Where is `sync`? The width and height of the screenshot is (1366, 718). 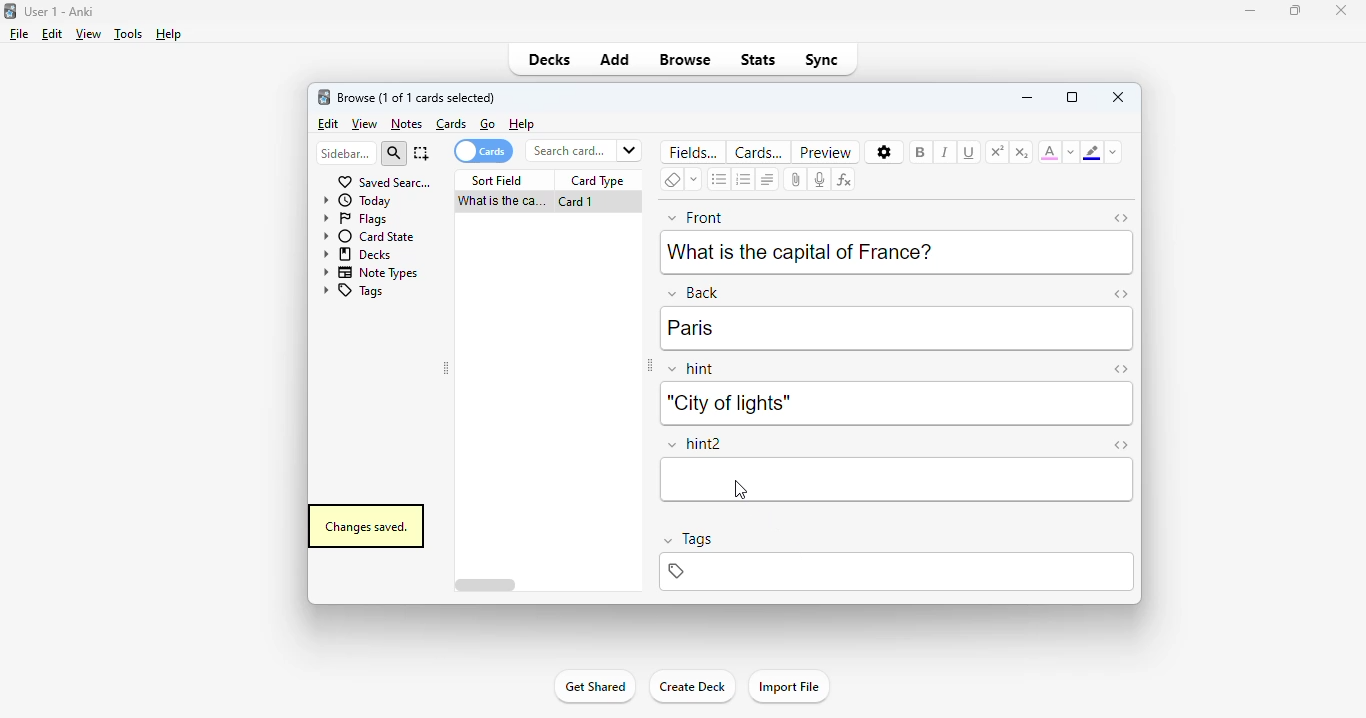 sync is located at coordinates (820, 58).